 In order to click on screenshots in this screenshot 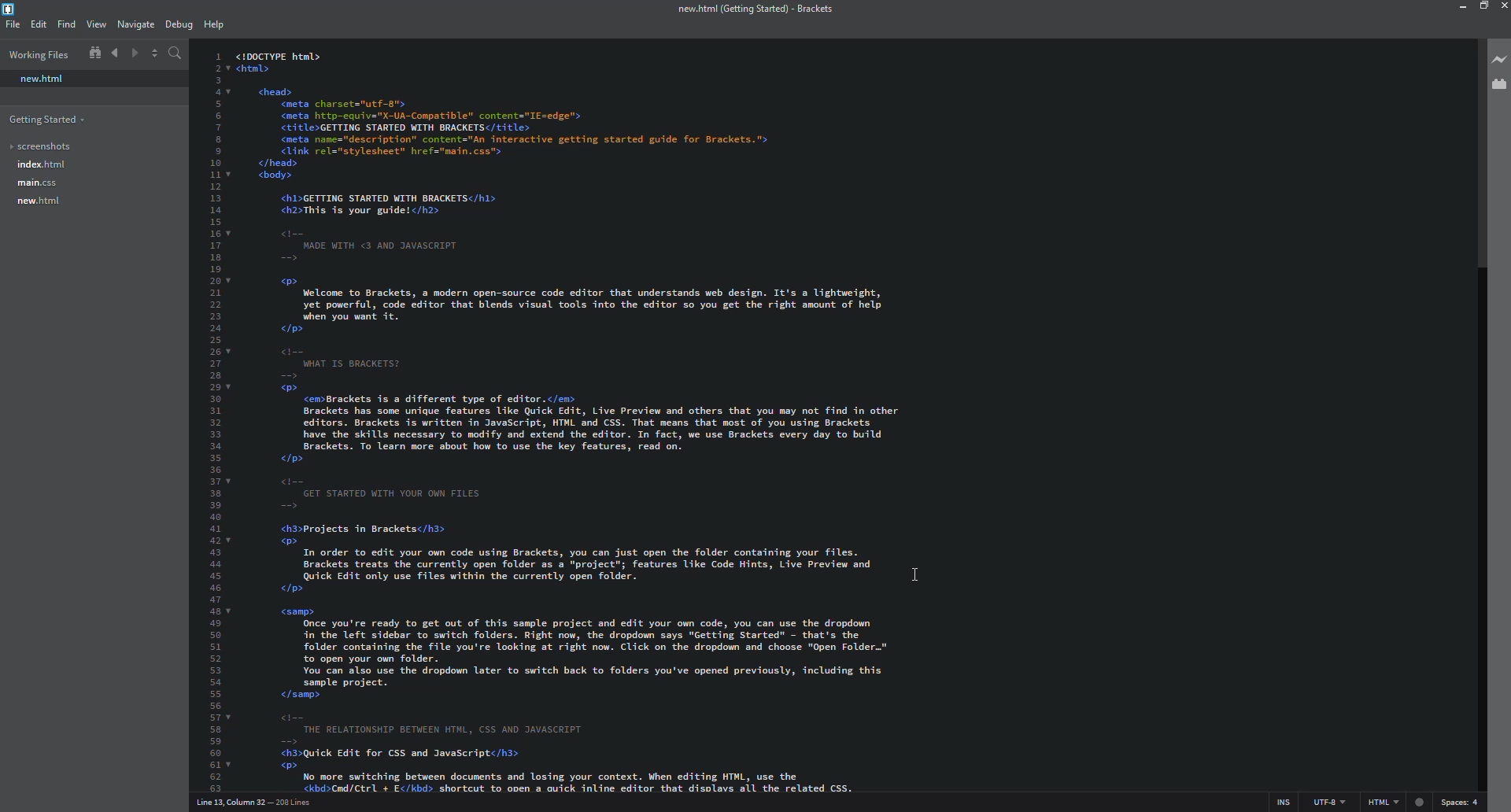, I will do `click(40, 146)`.